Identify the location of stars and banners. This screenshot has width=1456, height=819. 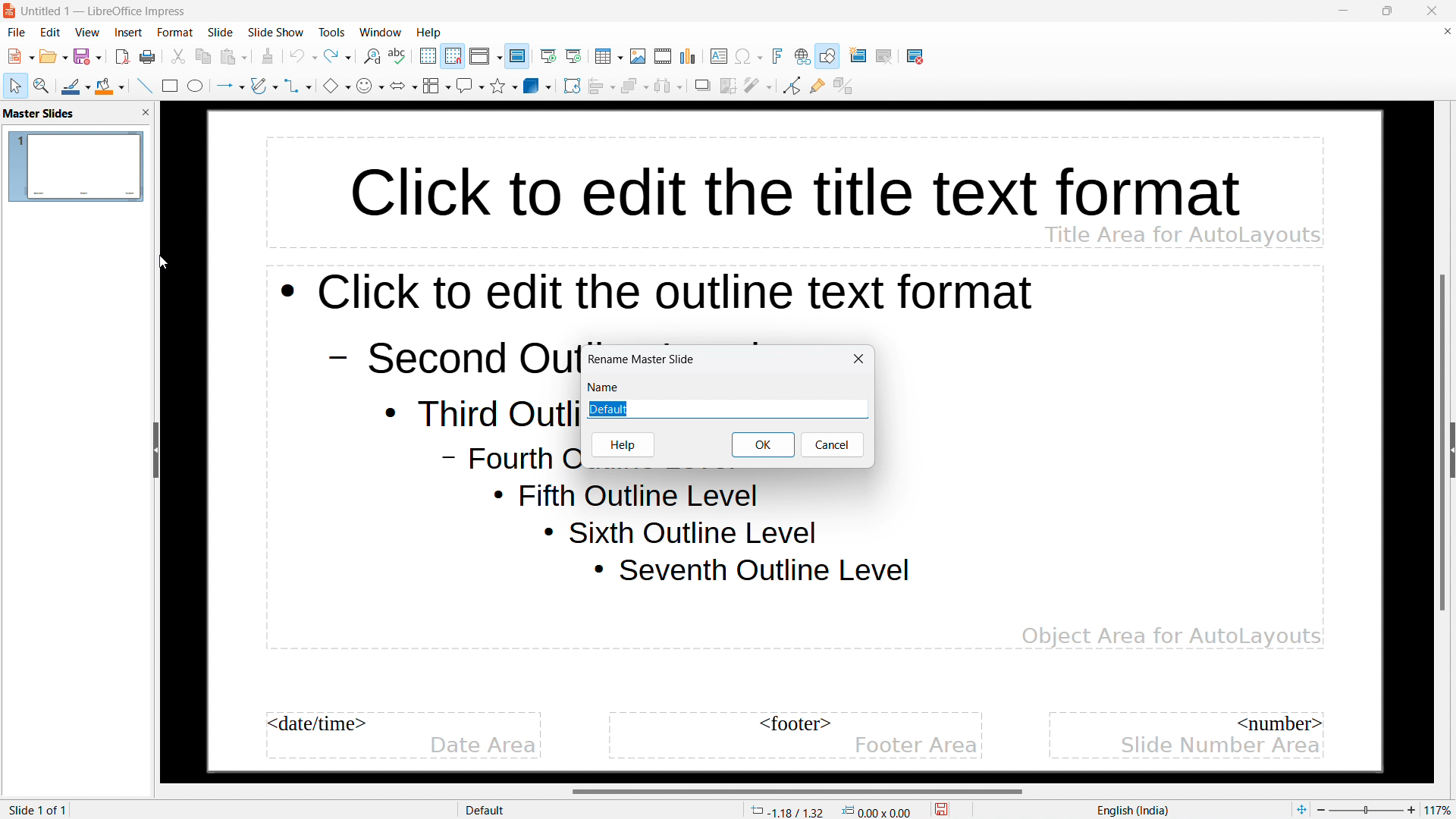
(504, 85).